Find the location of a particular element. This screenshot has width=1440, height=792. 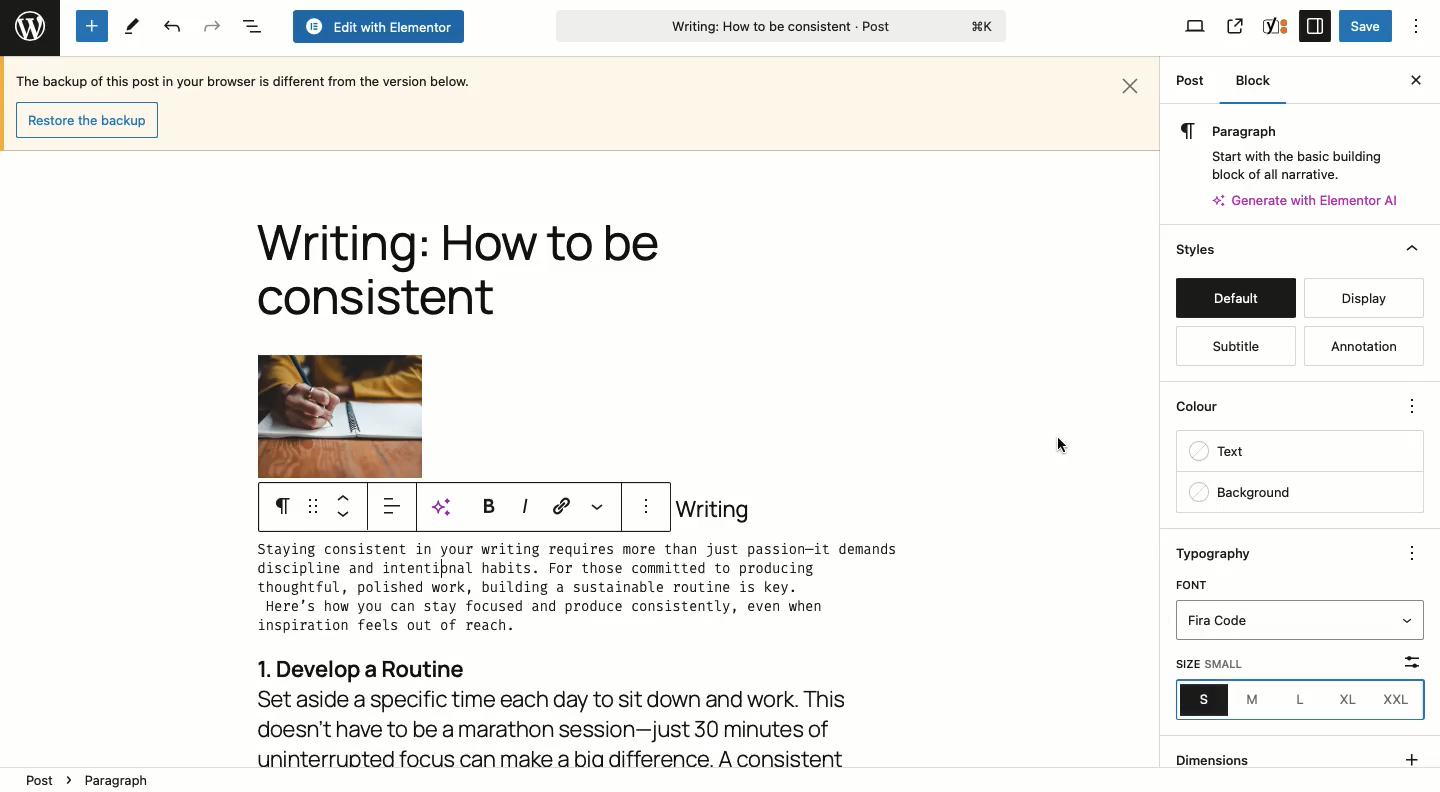

Start with the basic building block of all  narrative. is located at coordinates (1295, 162).